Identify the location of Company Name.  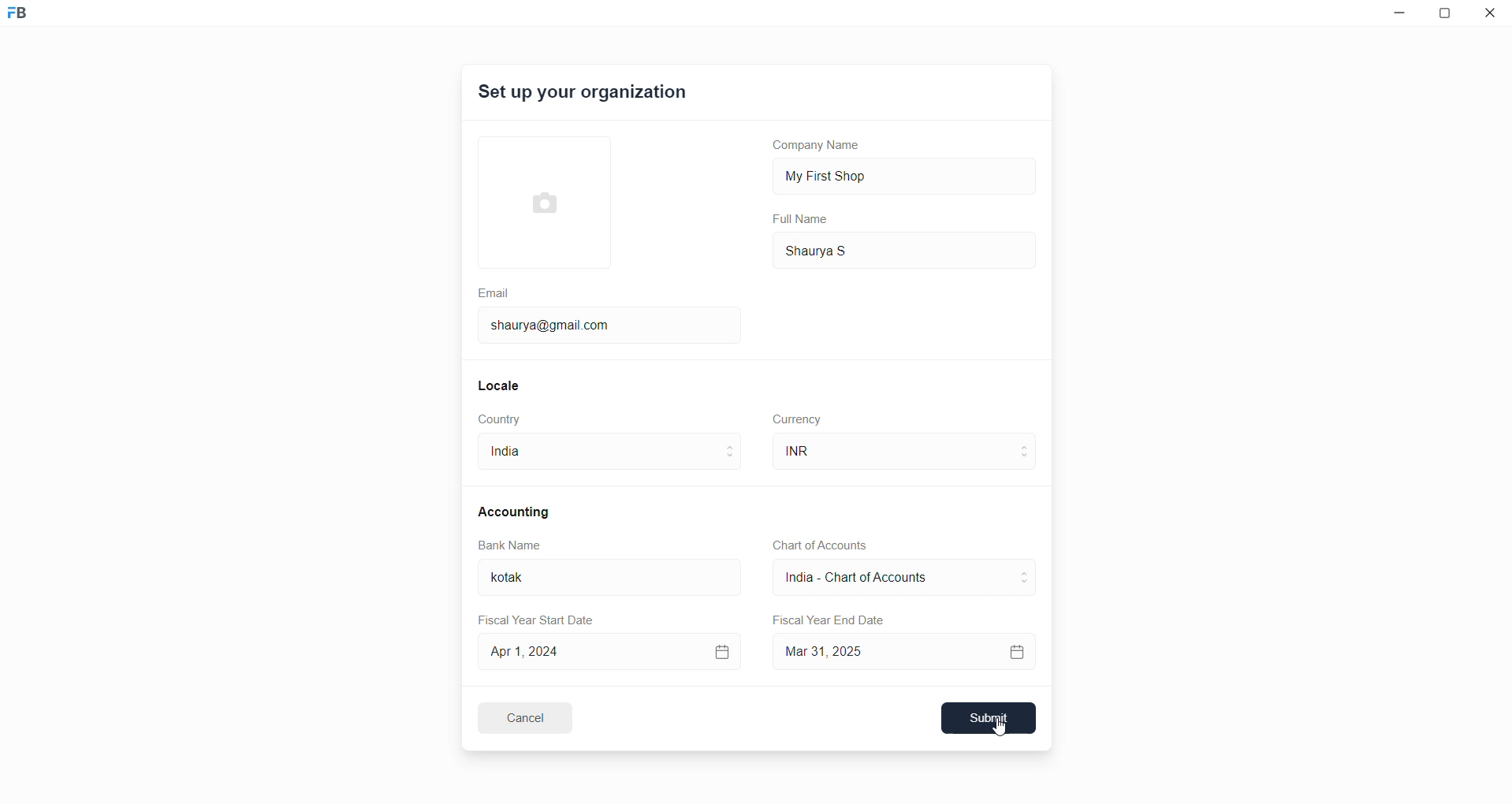
(822, 147).